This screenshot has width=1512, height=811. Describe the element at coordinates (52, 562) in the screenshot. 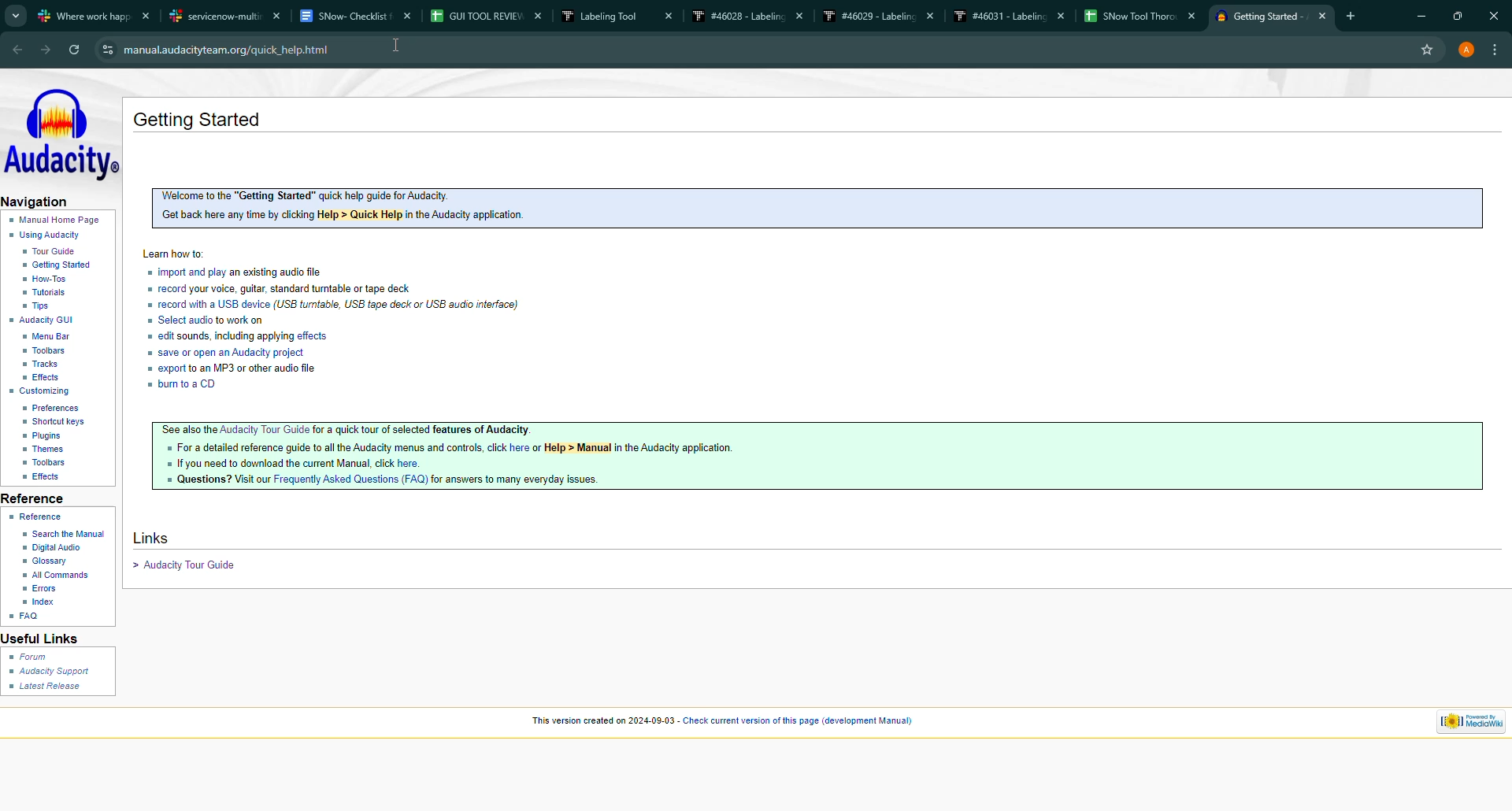

I see `glossary` at that location.